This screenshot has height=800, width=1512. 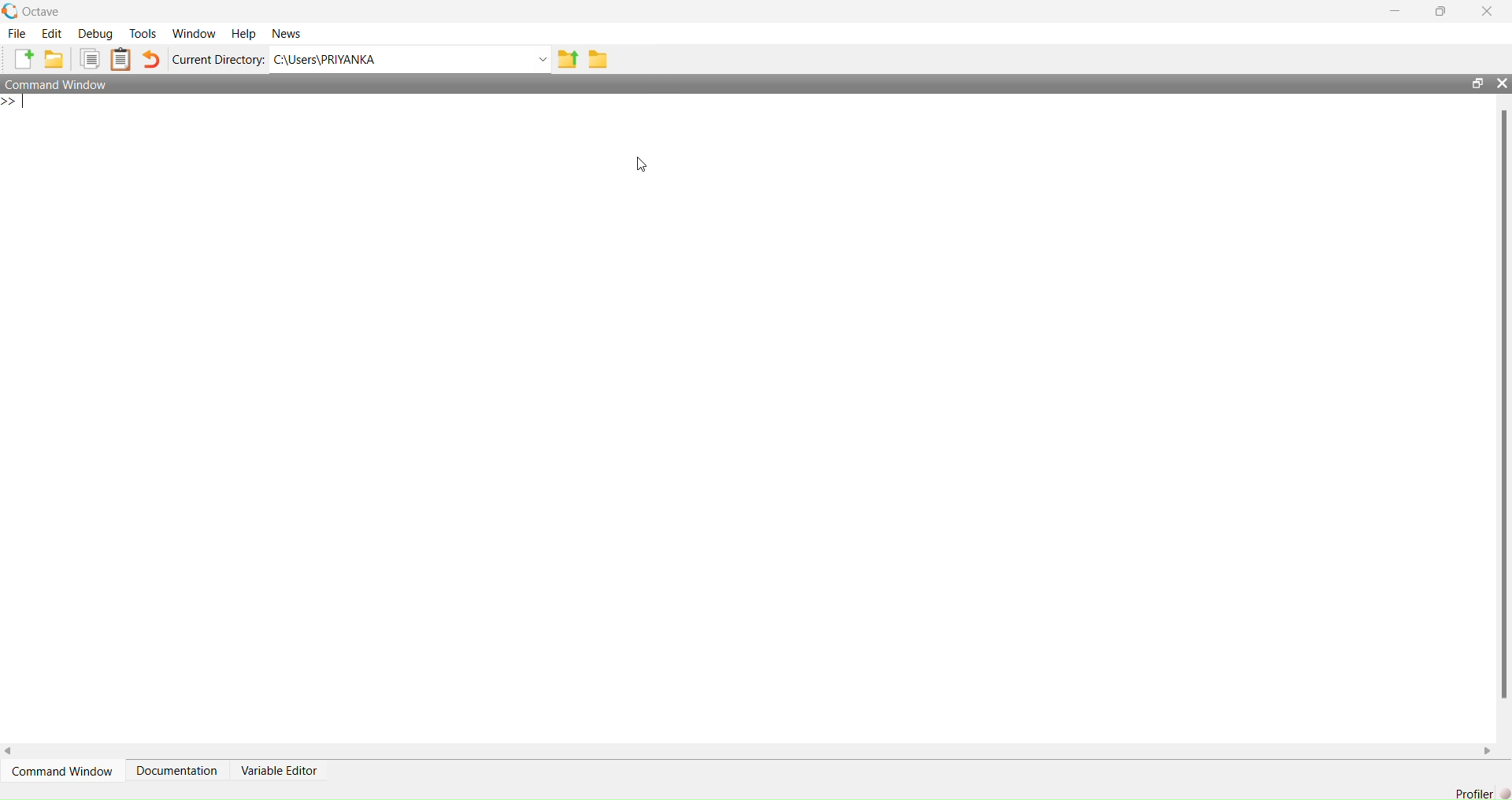 What do you see at coordinates (279, 770) in the screenshot?
I see `Variable Editor` at bounding box center [279, 770].